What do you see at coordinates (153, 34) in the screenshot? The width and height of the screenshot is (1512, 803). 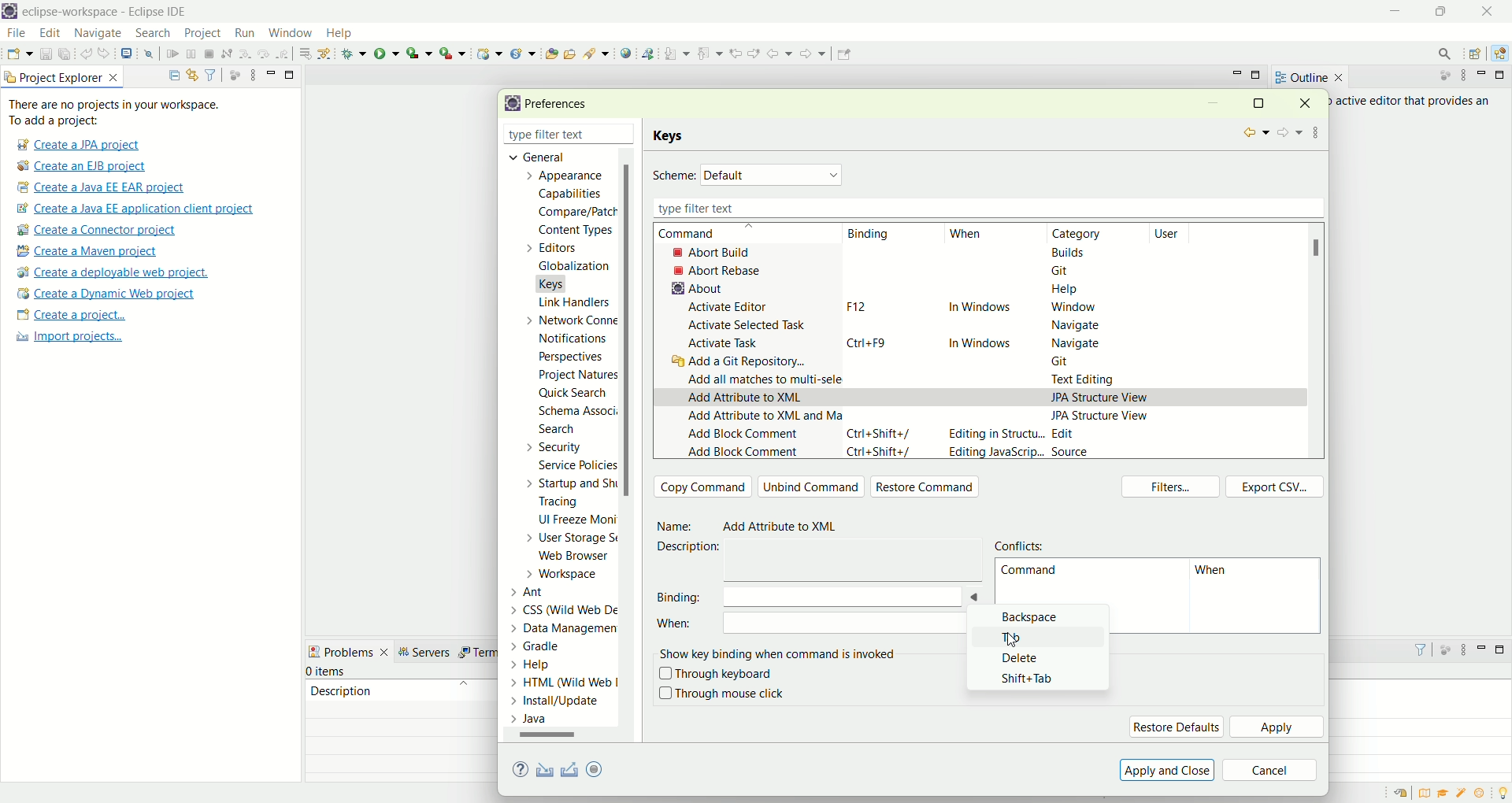 I see `search` at bounding box center [153, 34].